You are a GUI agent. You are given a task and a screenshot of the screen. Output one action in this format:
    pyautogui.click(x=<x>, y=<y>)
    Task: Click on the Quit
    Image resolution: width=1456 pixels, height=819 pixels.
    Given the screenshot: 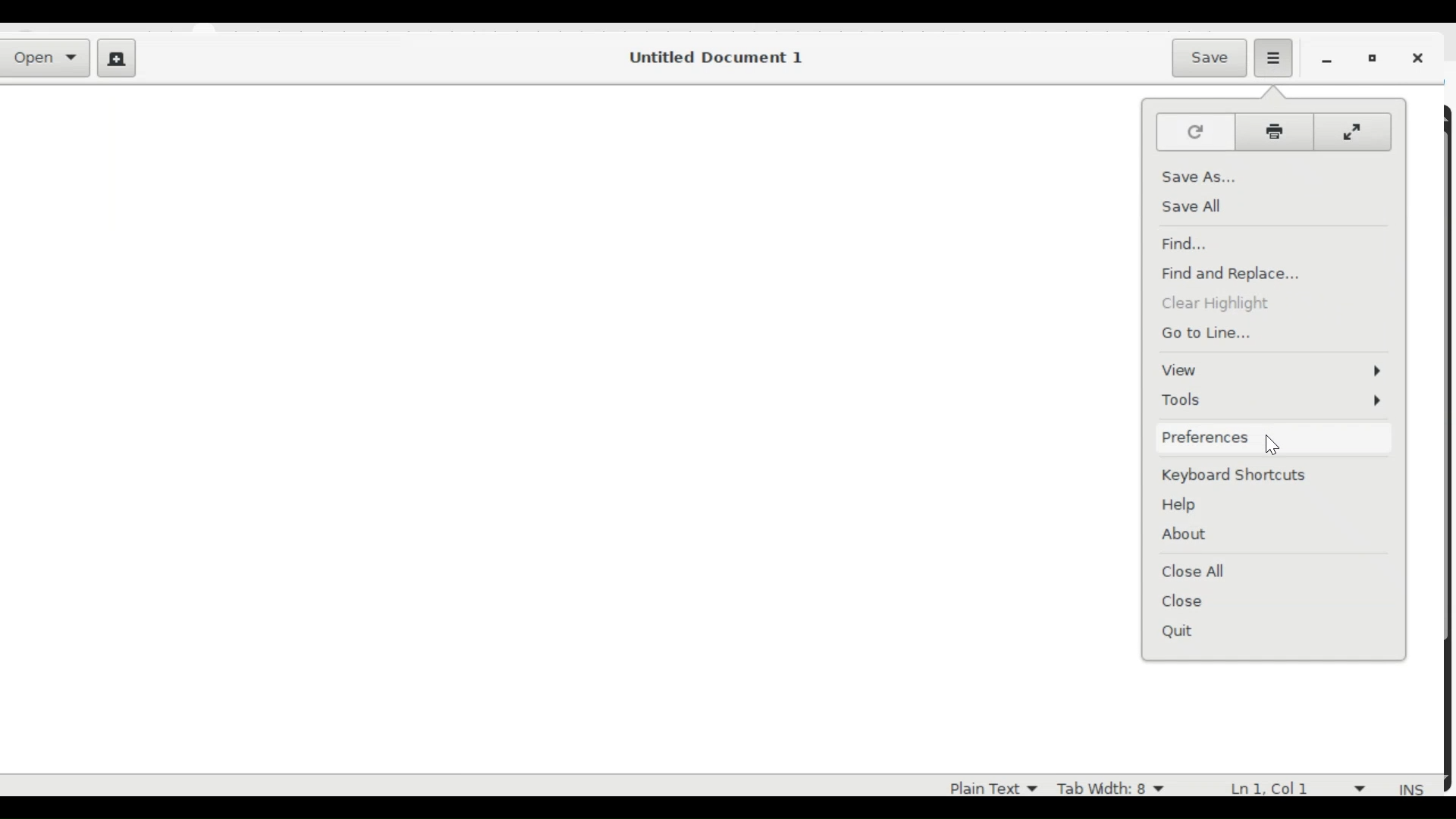 What is the action you would take?
    pyautogui.click(x=1198, y=636)
    